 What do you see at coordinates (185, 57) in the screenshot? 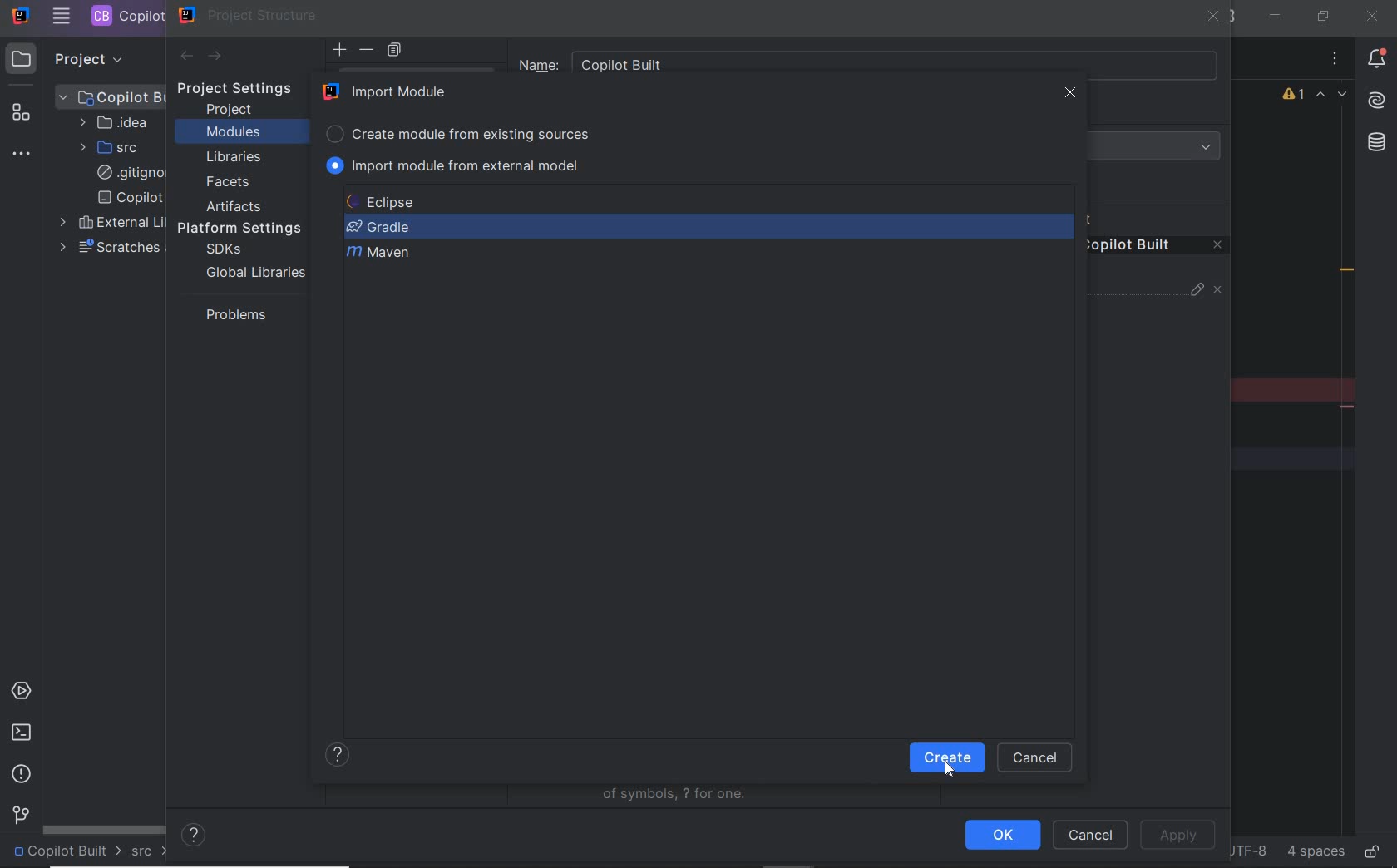
I see `back` at bounding box center [185, 57].